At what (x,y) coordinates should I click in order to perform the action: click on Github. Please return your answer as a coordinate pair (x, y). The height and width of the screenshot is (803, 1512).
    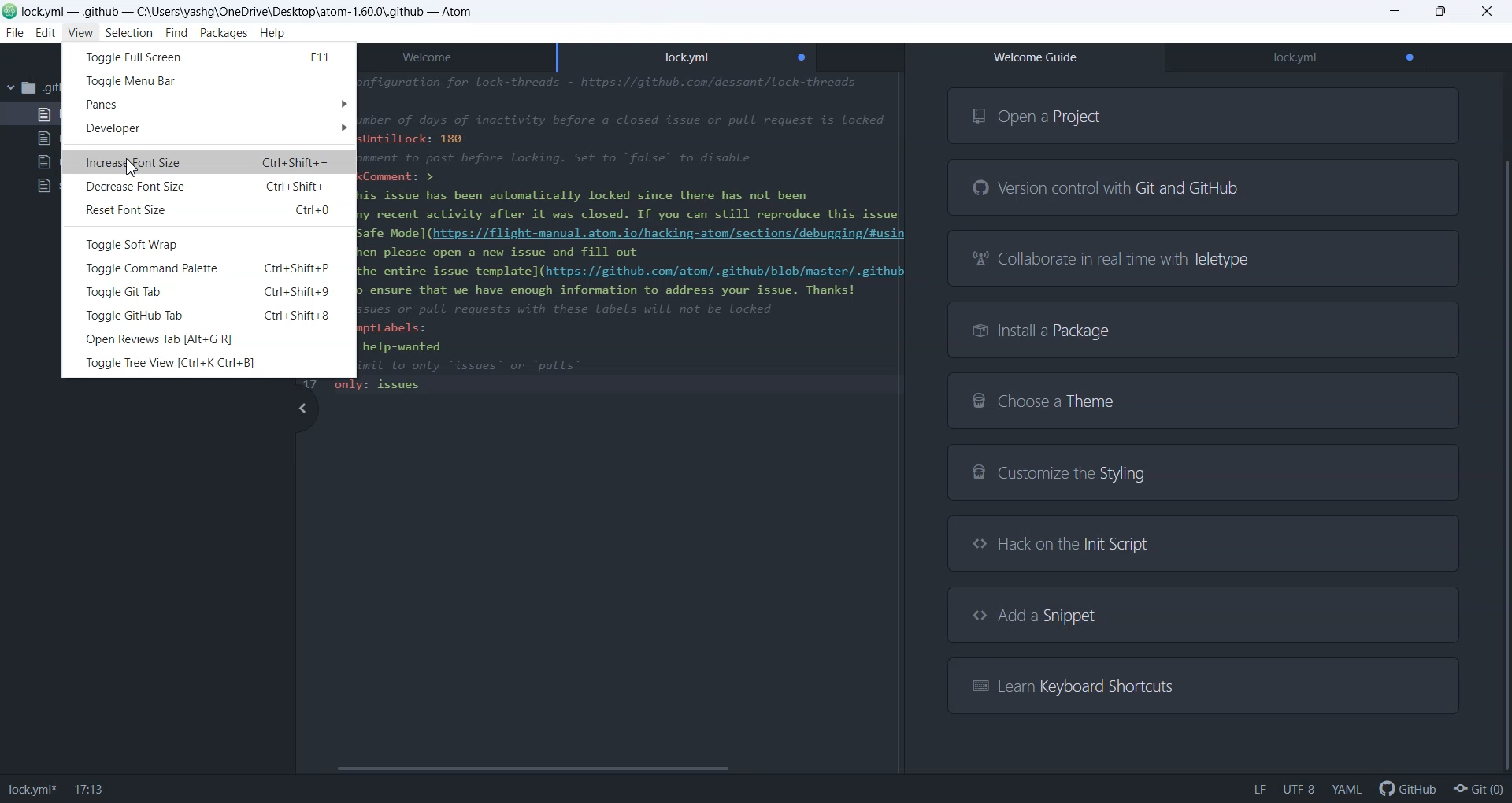
    Looking at the image, I should click on (1405, 788).